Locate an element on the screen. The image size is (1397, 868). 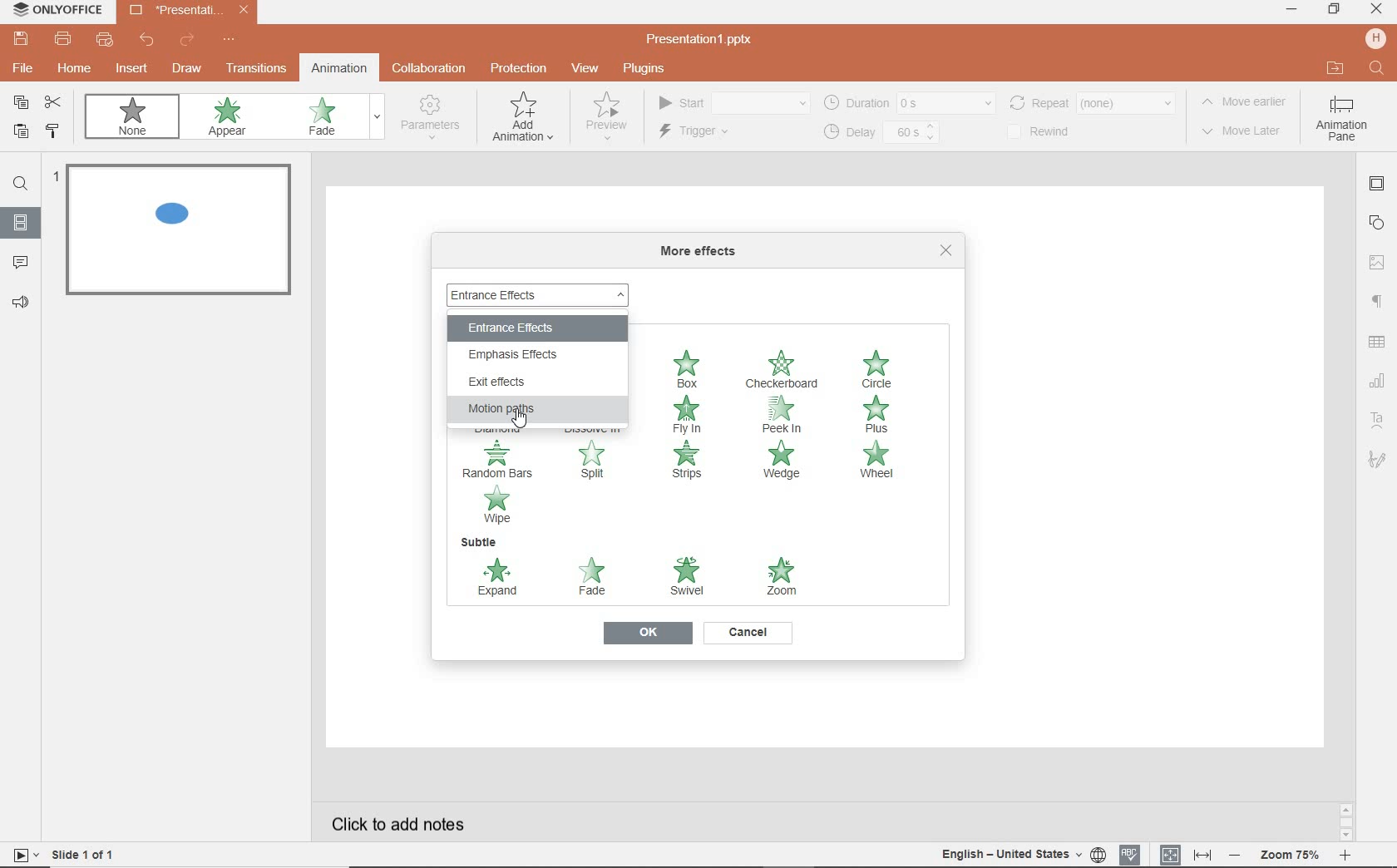
fit to slide is located at coordinates (1171, 851).